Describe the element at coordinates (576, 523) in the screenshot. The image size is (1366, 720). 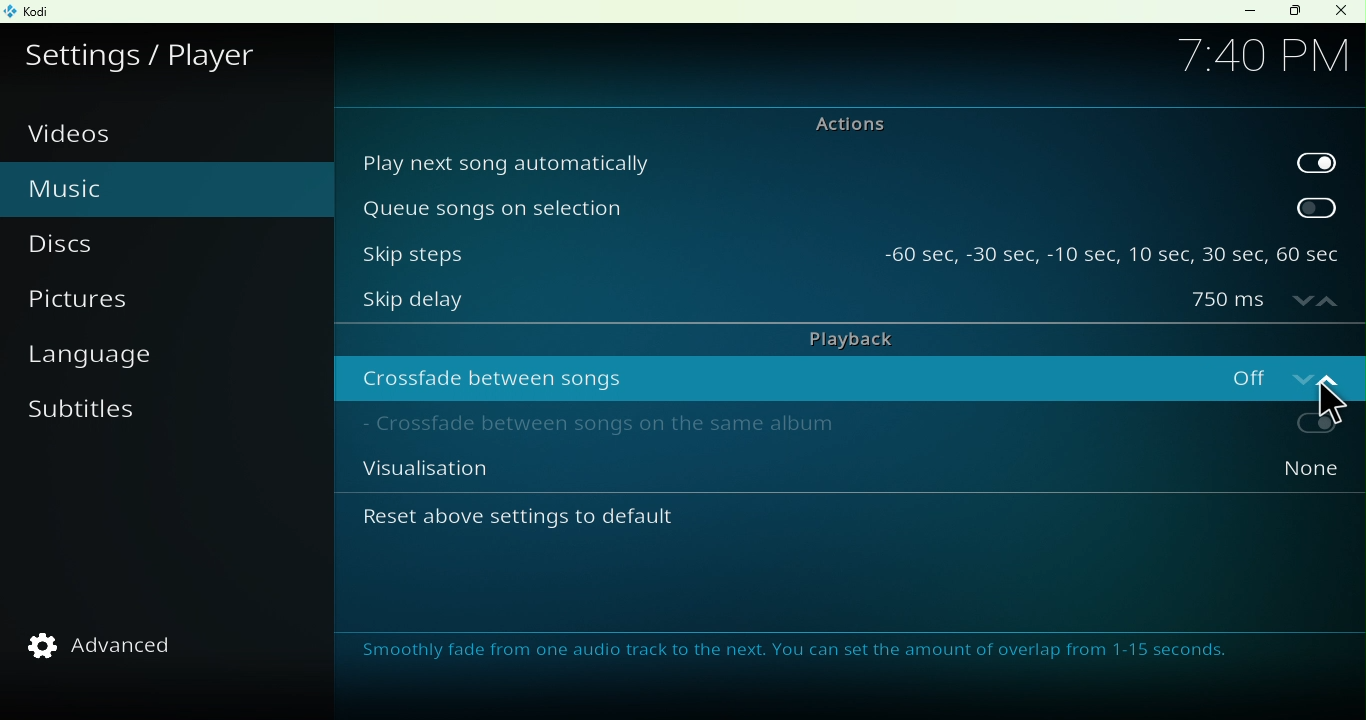
I see `Reset above settings to default` at that location.